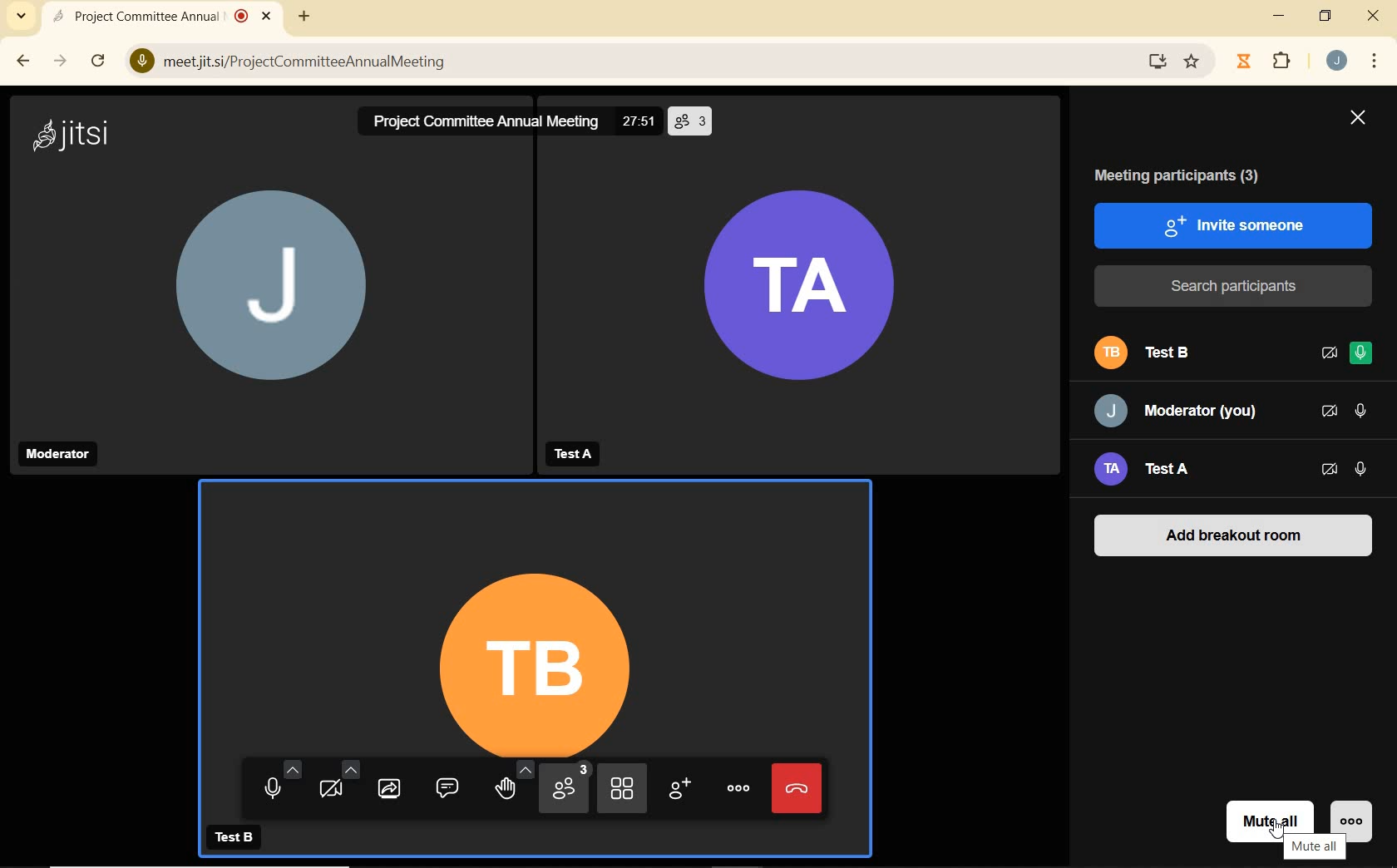 The image size is (1397, 868). I want to click on CLOSE, so click(1357, 121).